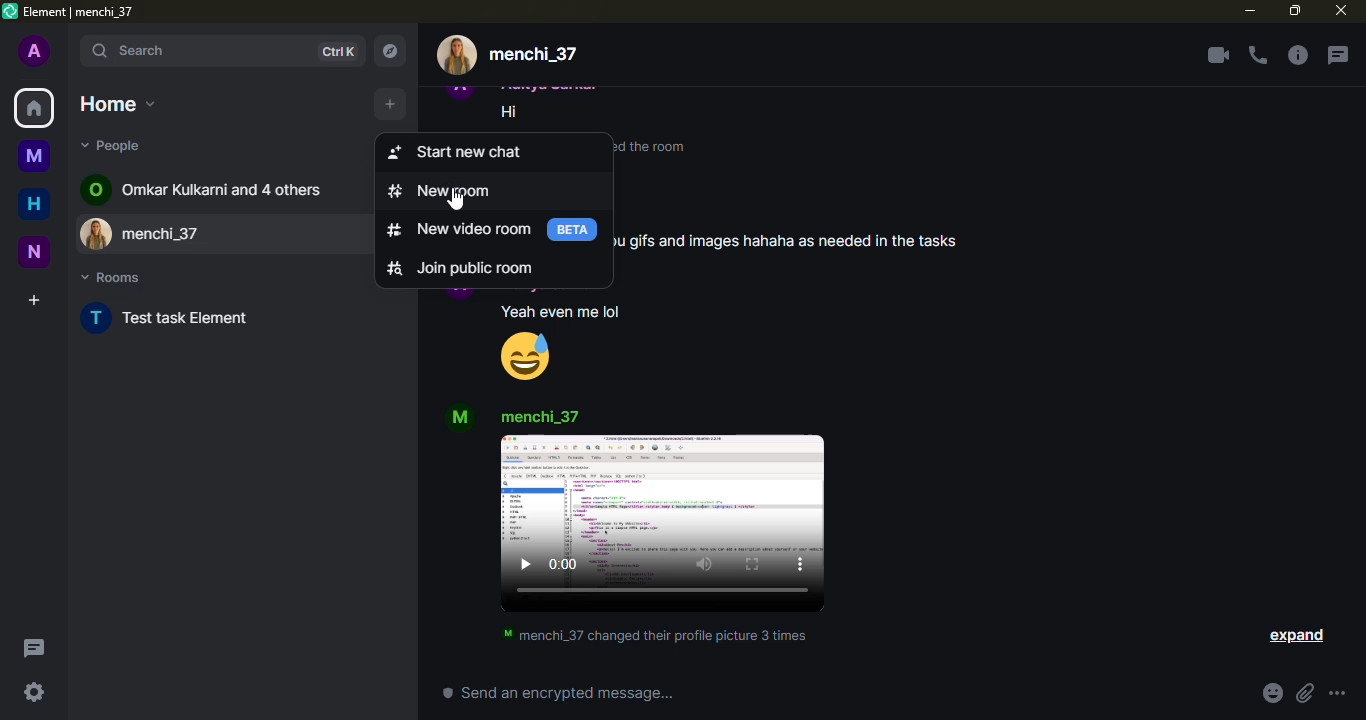 The width and height of the screenshot is (1366, 720). I want to click on Profile initials, so click(95, 189).